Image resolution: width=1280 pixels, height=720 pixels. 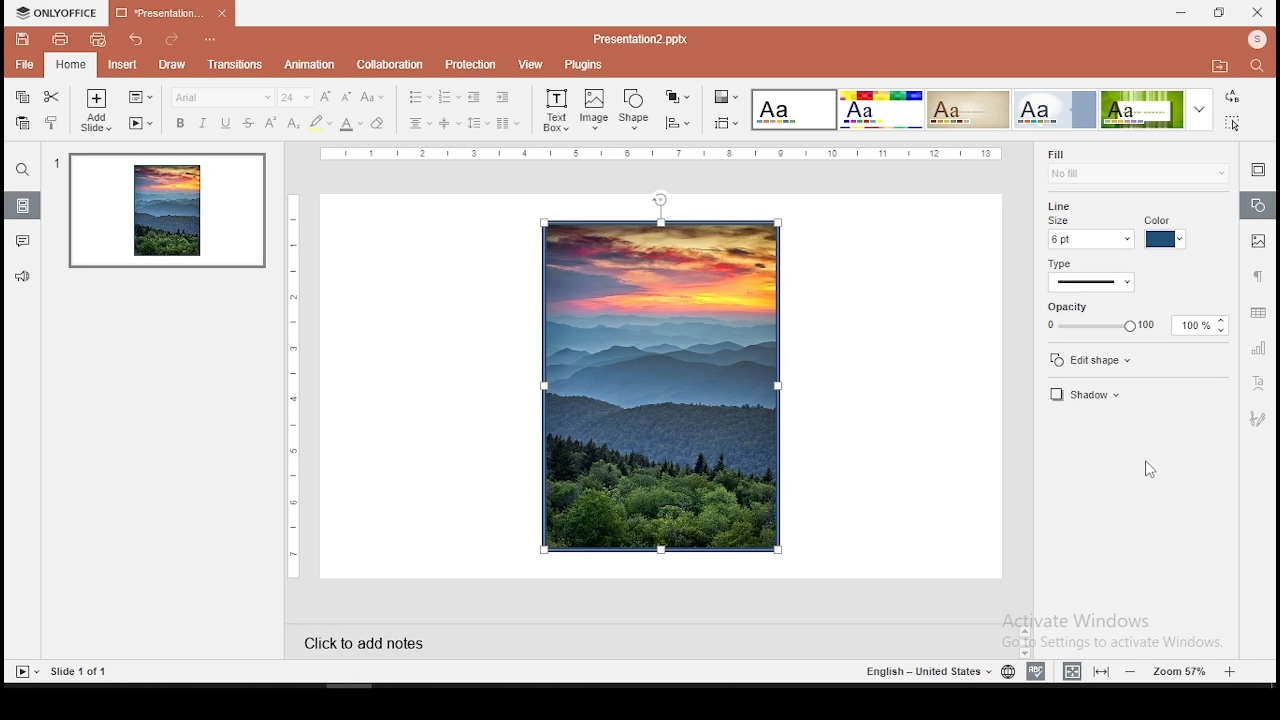 What do you see at coordinates (119, 65) in the screenshot?
I see `insert` at bounding box center [119, 65].